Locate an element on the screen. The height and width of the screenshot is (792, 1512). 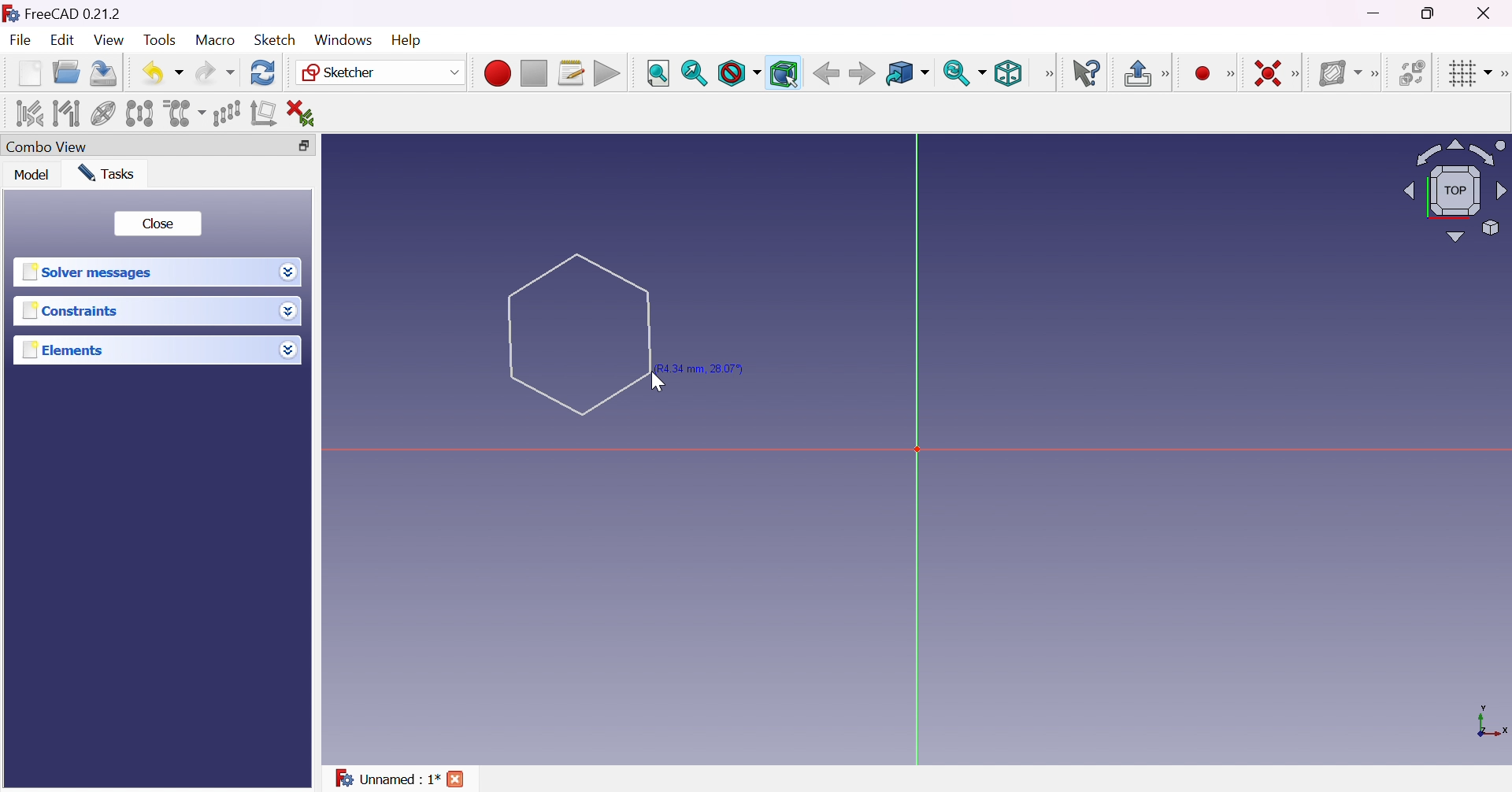
[View] is located at coordinates (1048, 74).